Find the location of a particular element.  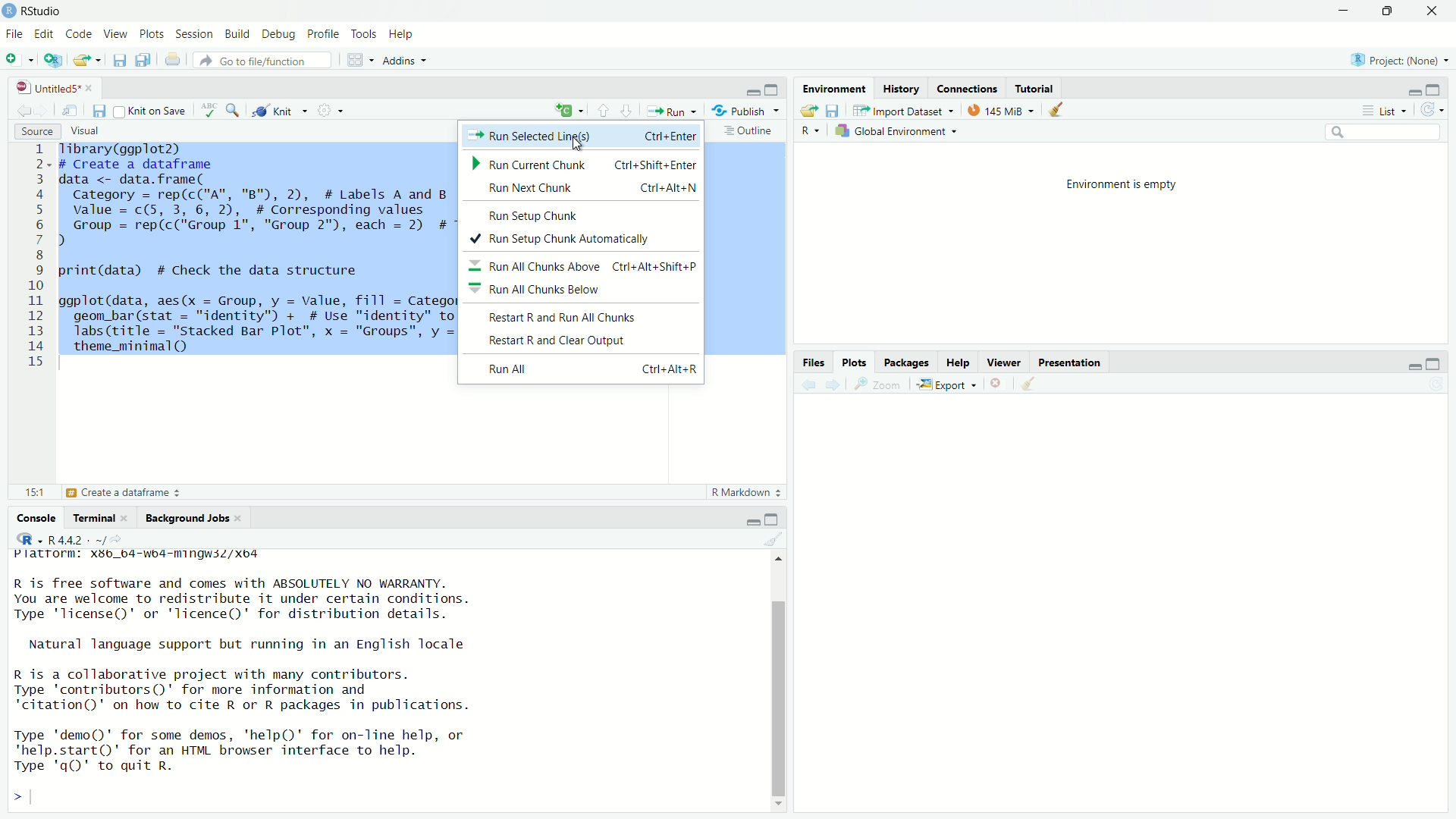

Insert new code chunk is located at coordinates (566, 108).